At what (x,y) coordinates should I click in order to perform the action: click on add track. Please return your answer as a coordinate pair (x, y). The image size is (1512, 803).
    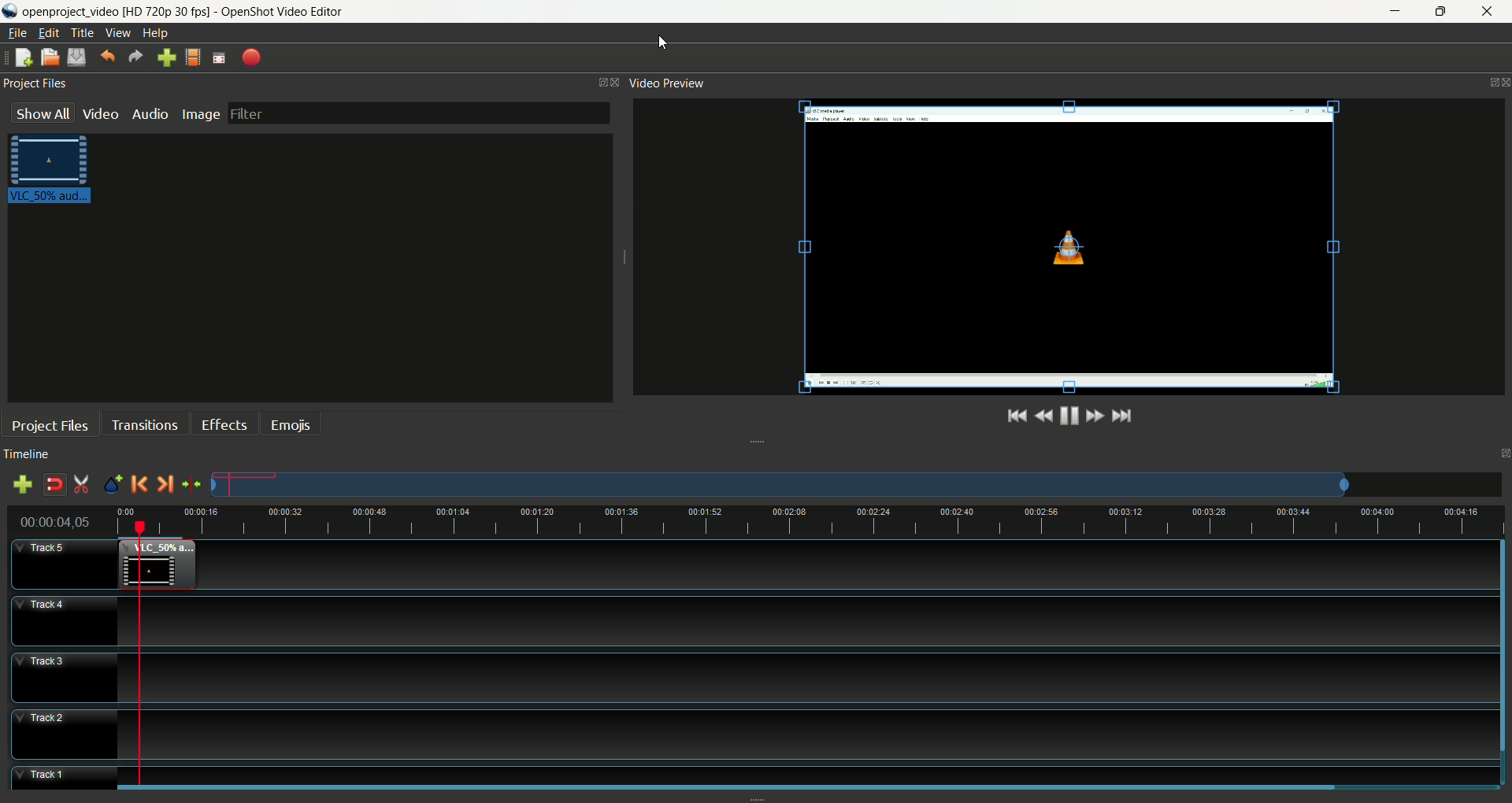
    Looking at the image, I should click on (26, 485).